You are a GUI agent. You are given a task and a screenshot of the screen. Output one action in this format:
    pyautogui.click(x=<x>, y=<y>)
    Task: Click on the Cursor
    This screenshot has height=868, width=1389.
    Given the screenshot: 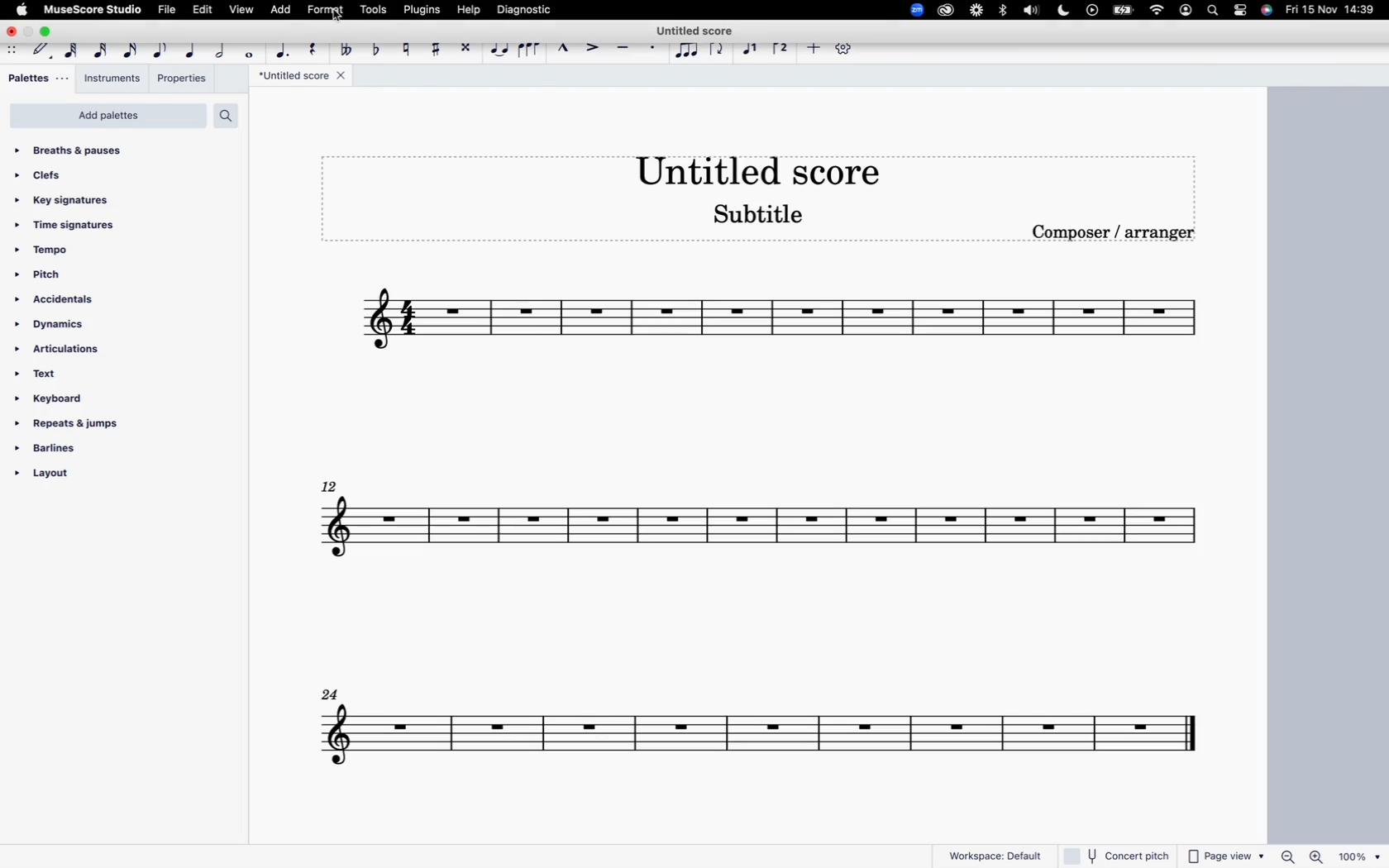 What is the action you would take?
    pyautogui.click(x=337, y=18)
    